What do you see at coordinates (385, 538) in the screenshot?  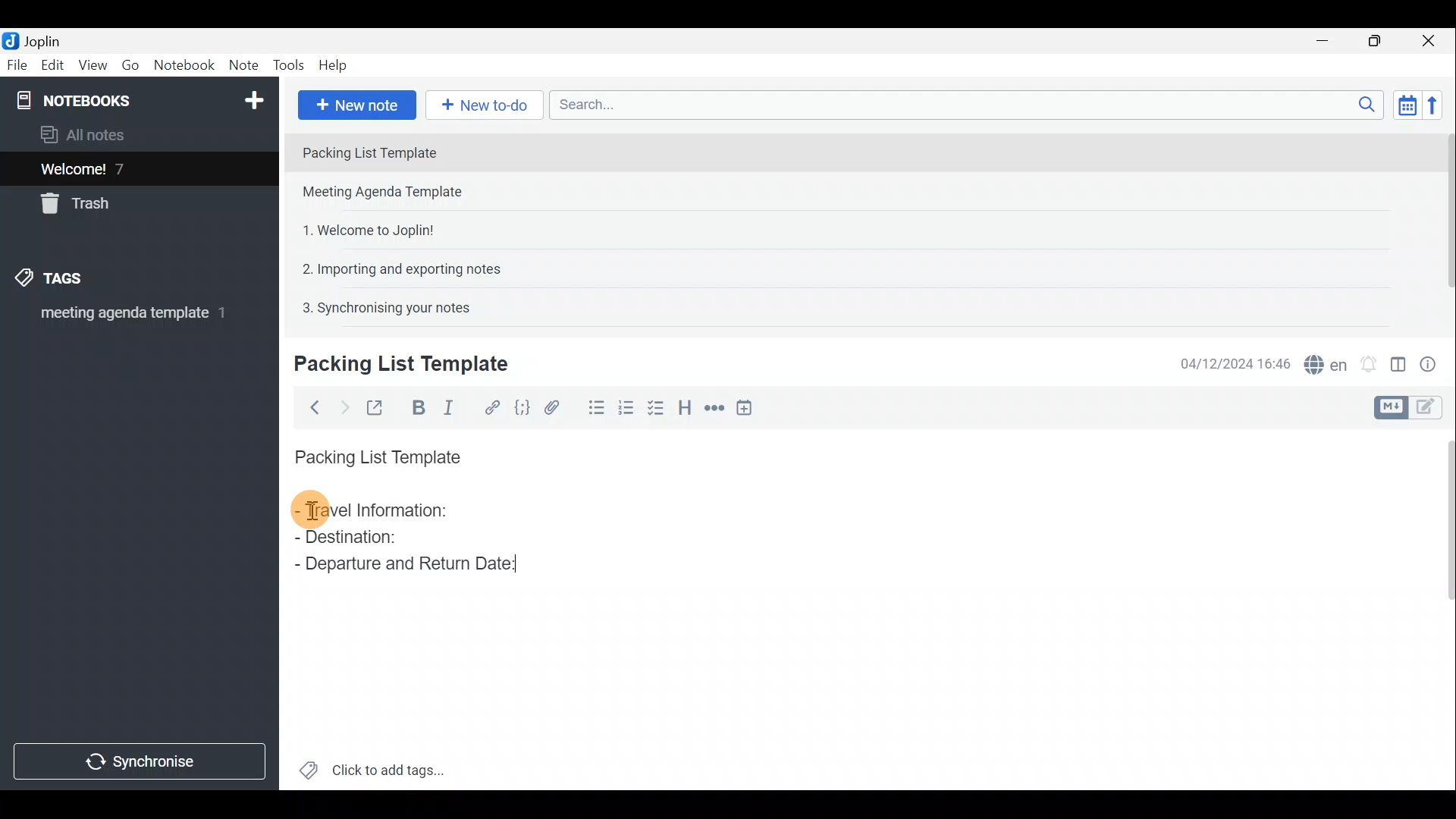 I see `Destination:` at bounding box center [385, 538].